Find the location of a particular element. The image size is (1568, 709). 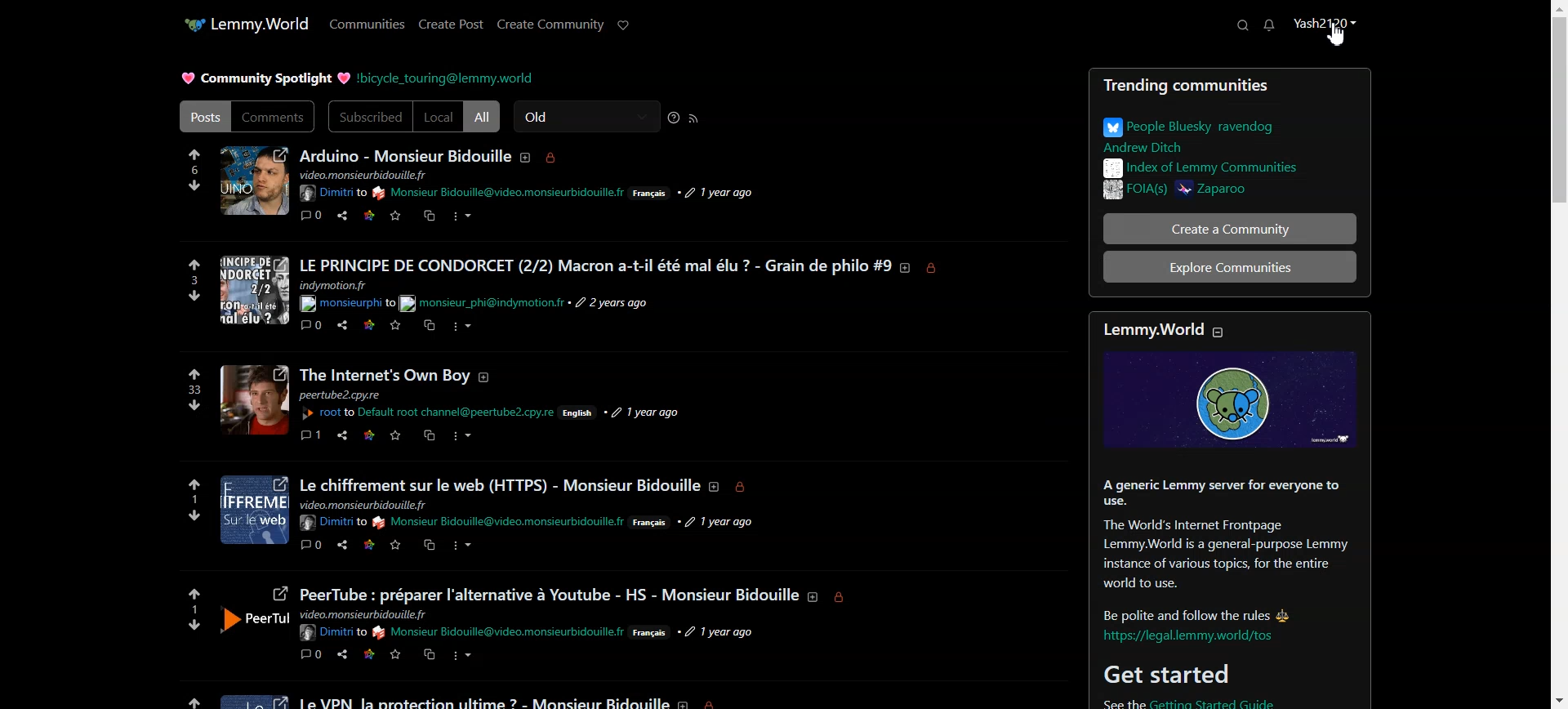

save is located at coordinates (396, 546).